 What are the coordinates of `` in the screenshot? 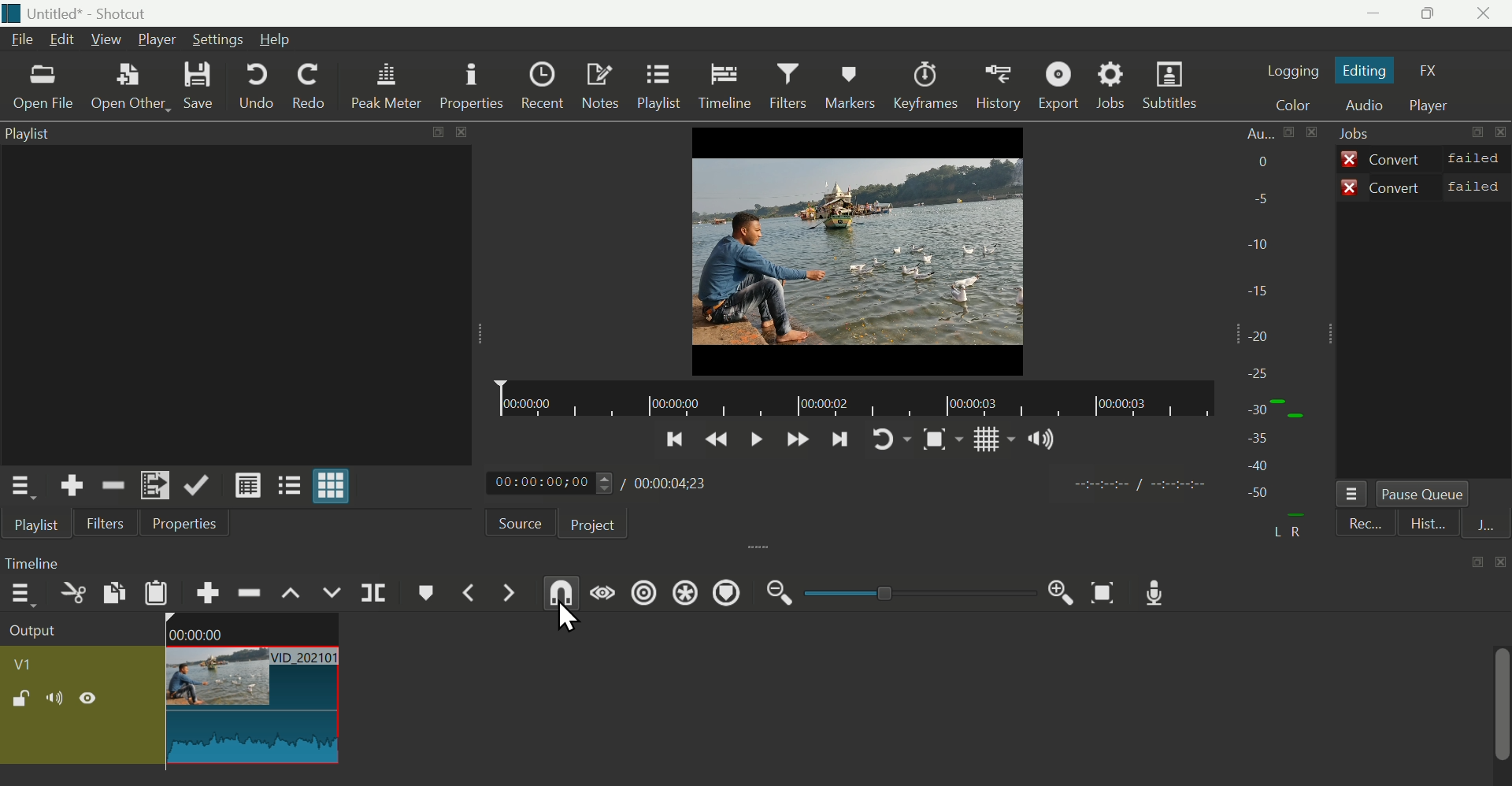 It's located at (600, 525).